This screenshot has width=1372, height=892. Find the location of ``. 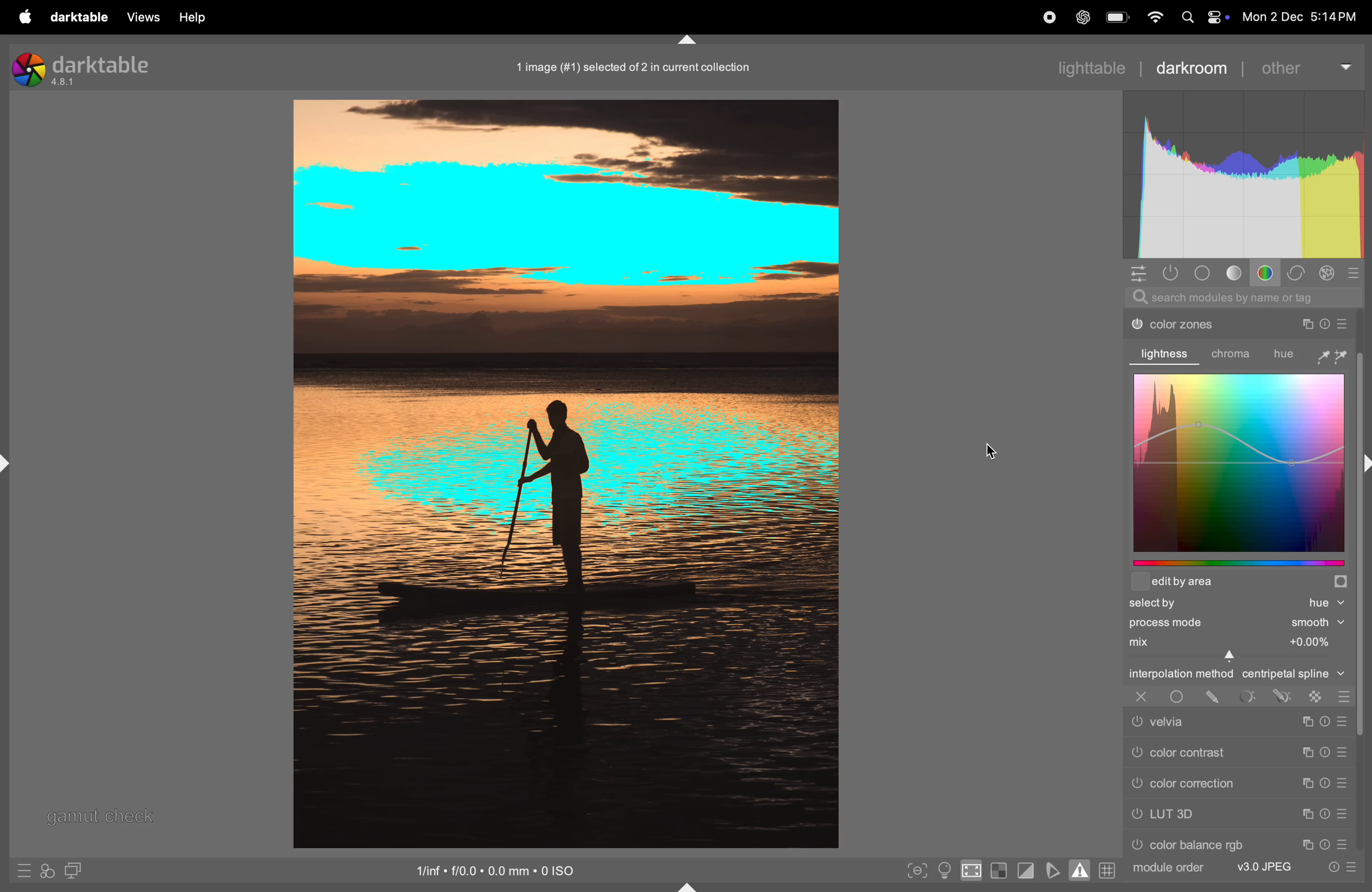

 is located at coordinates (1298, 273).